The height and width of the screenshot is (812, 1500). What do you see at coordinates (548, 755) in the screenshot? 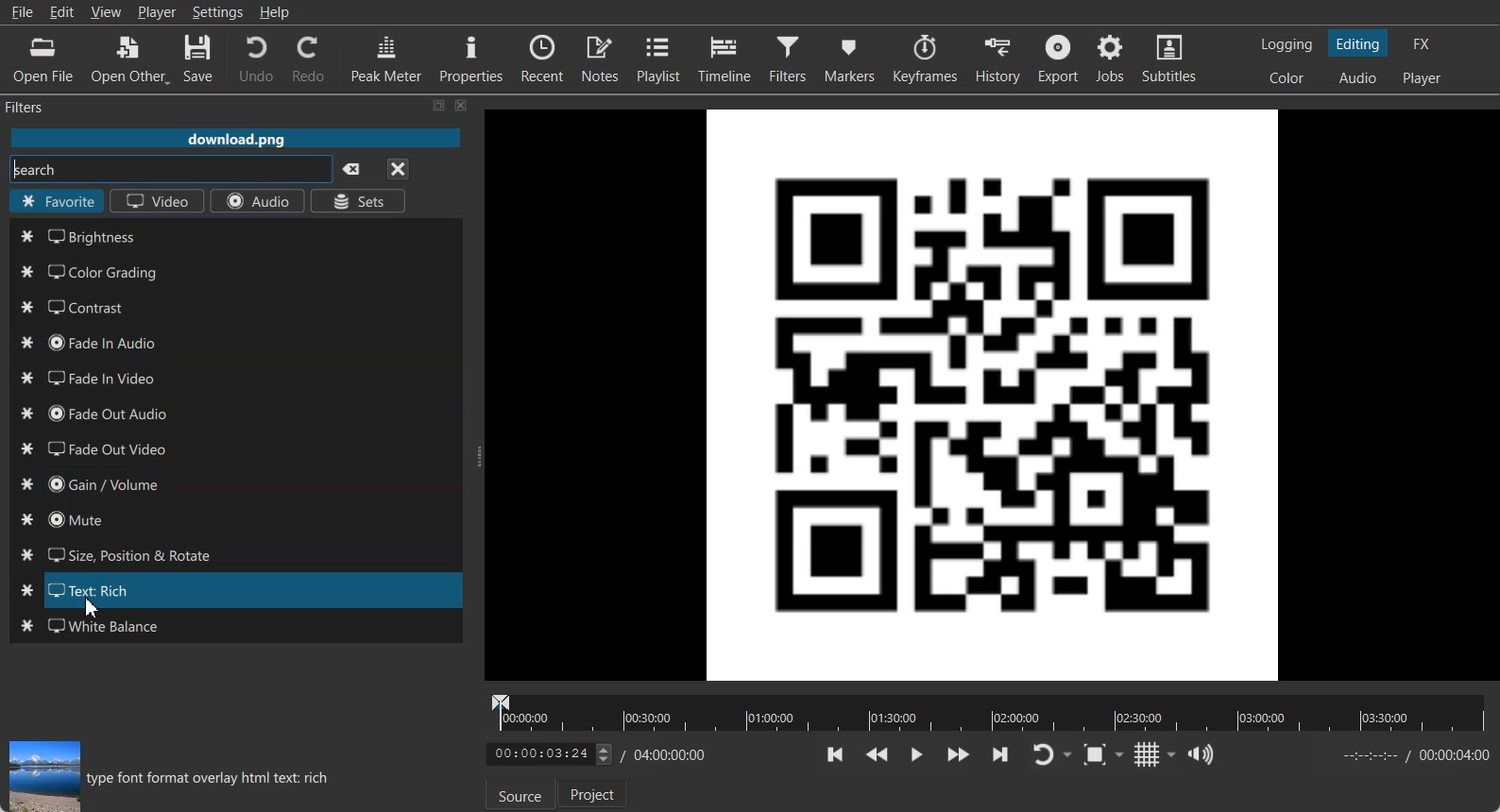
I see `adjust Time ` at bounding box center [548, 755].